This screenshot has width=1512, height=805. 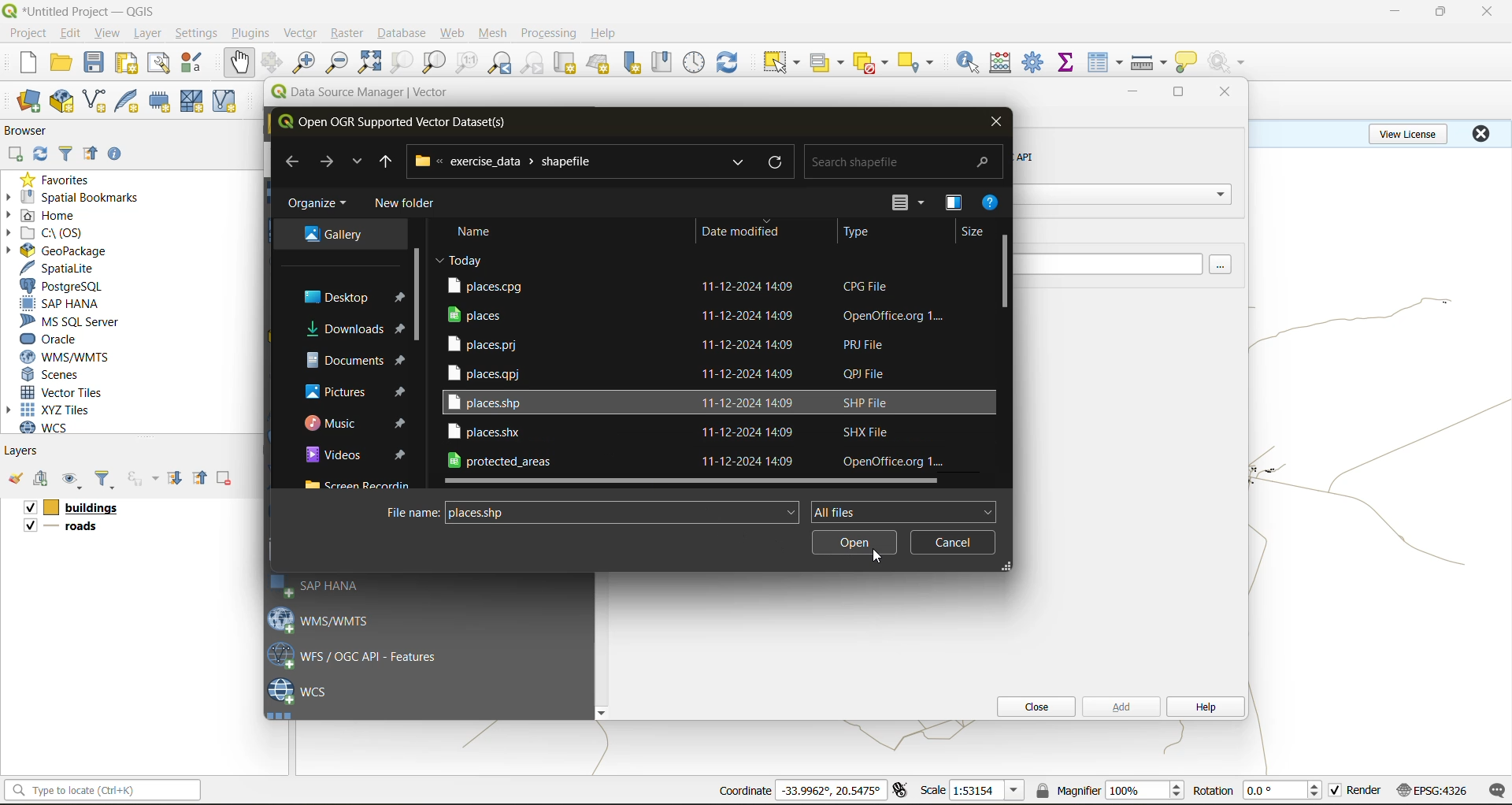 What do you see at coordinates (338, 61) in the screenshot?
I see `zoom out` at bounding box center [338, 61].